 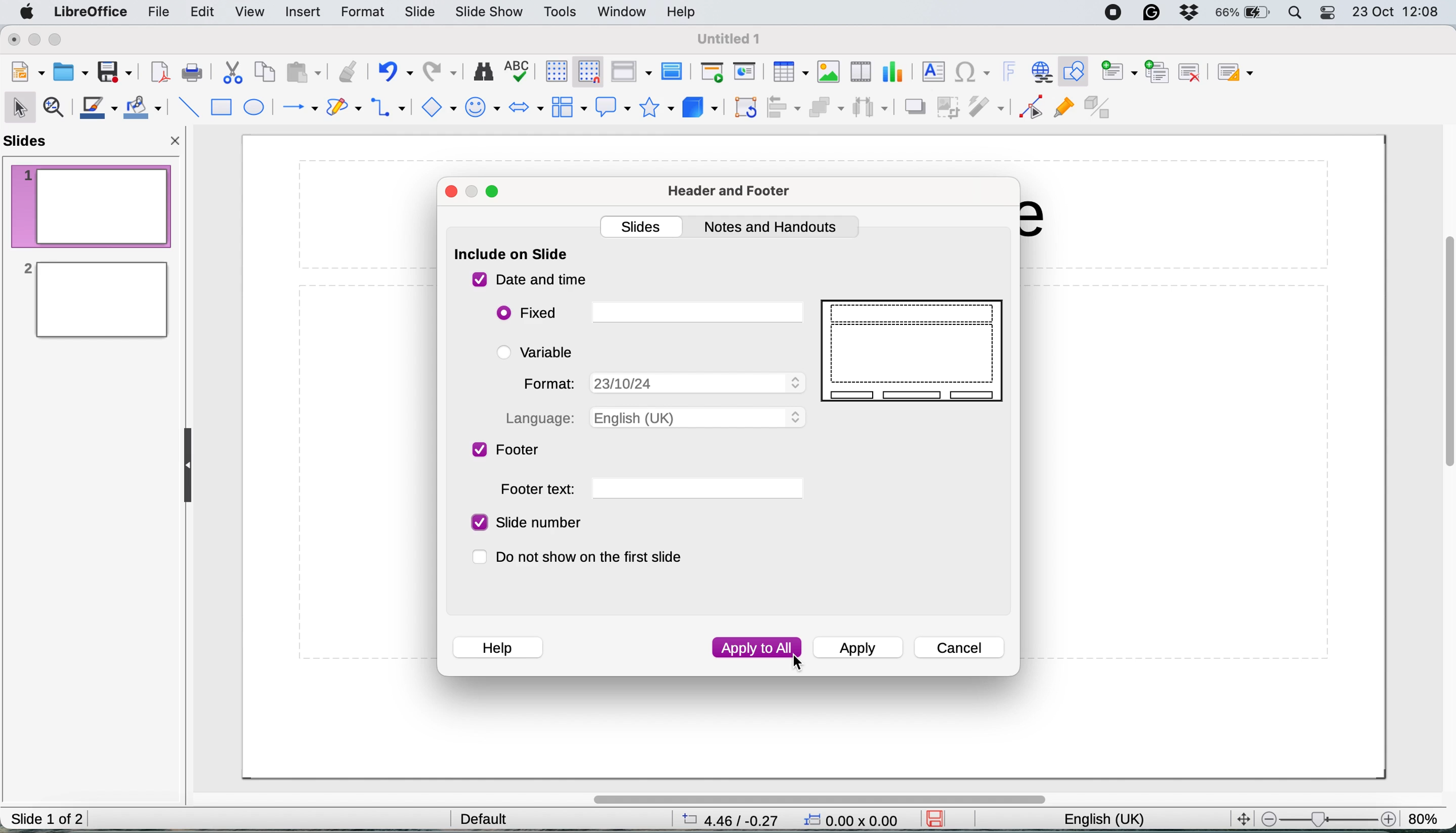 What do you see at coordinates (491, 14) in the screenshot?
I see `slide show` at bounding box center [491, 14].